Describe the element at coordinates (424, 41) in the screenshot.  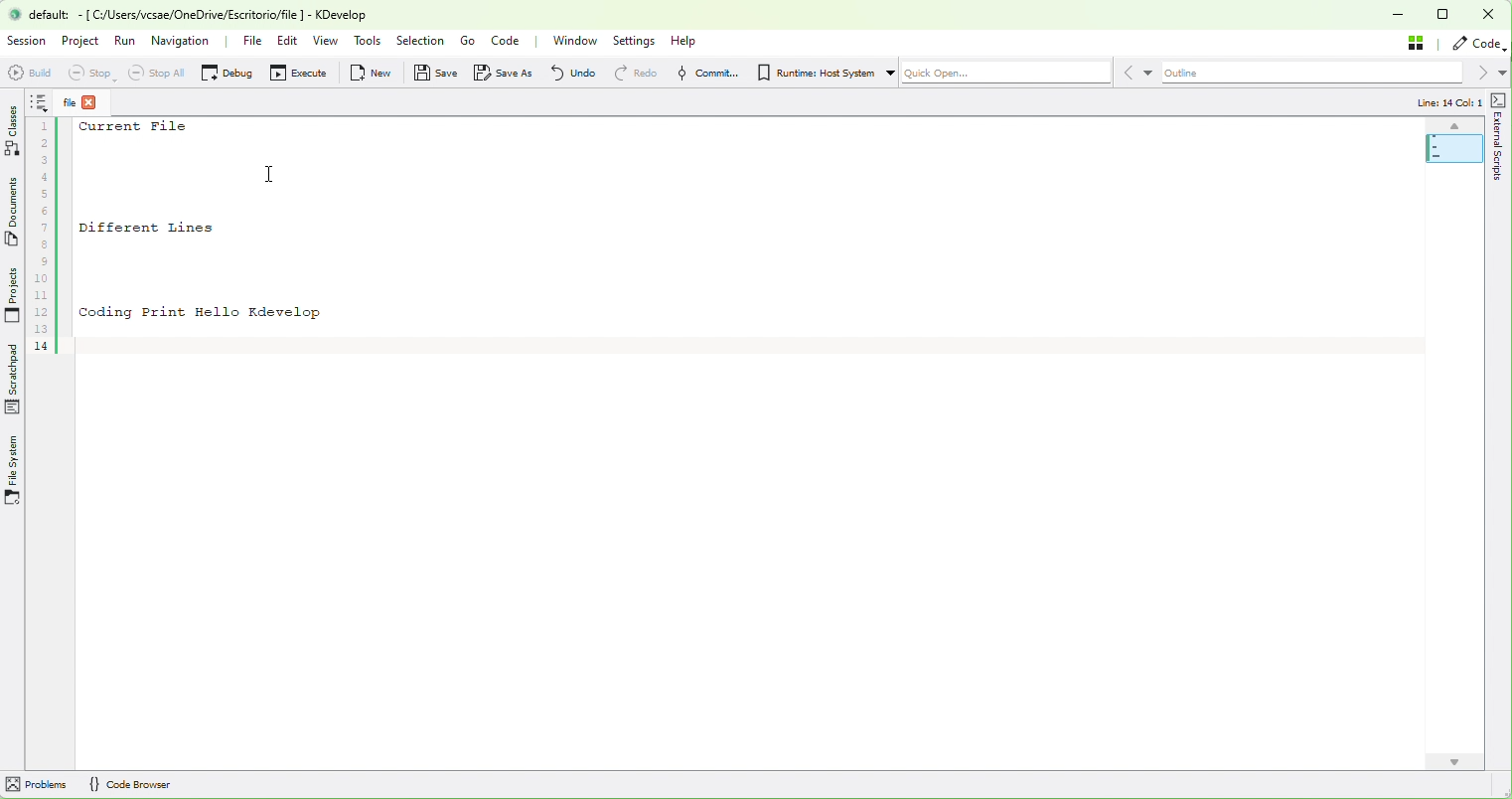
I see `Selection` at that location.